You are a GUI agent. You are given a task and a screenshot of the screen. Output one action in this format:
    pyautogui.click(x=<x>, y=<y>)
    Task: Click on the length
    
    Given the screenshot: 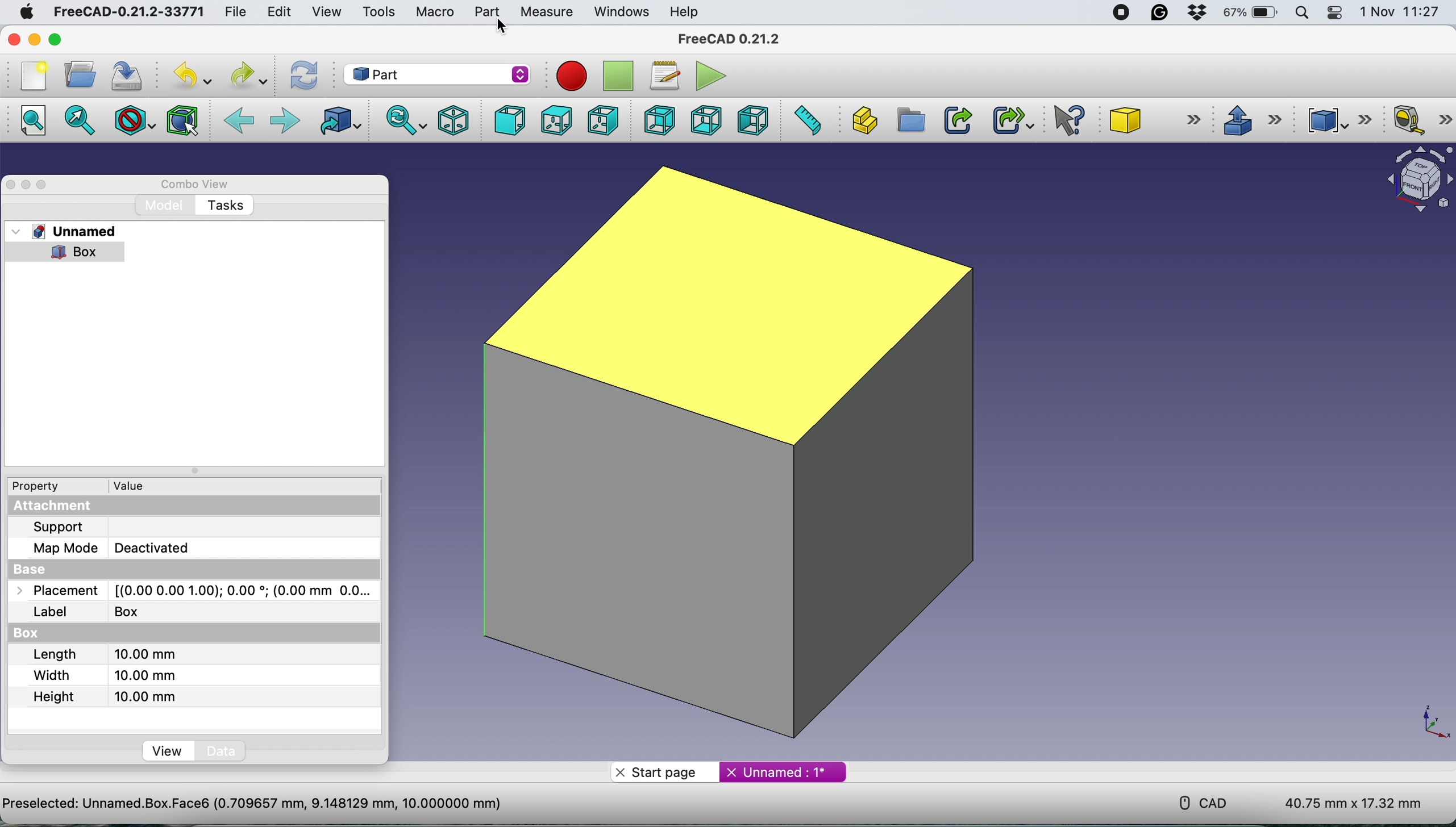 What is the action you would take?
    pyautogui.click(x=101, y=654)
    